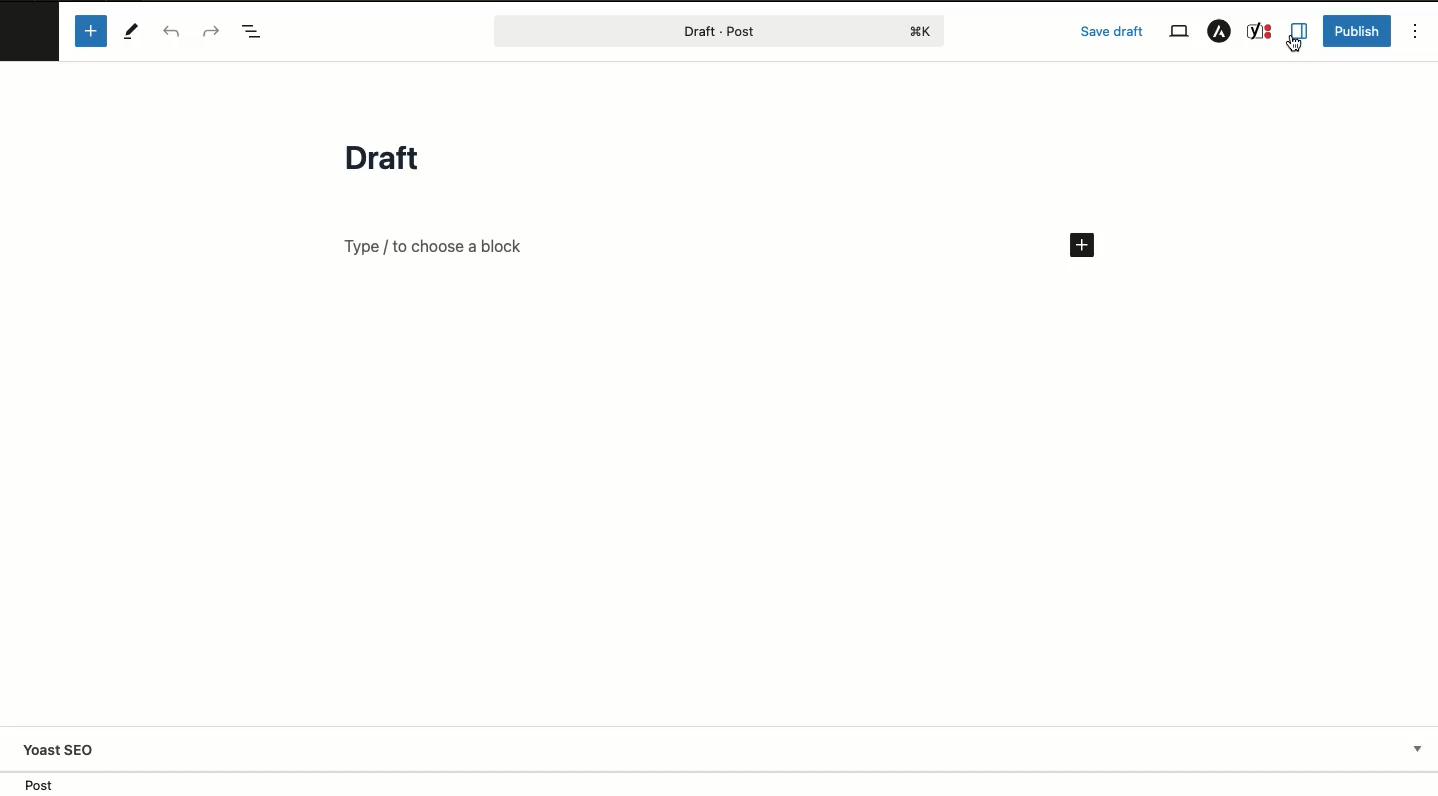  Describe the element at coordinates (1113, 31) in the screenshot. I see `Save draft` at that location.